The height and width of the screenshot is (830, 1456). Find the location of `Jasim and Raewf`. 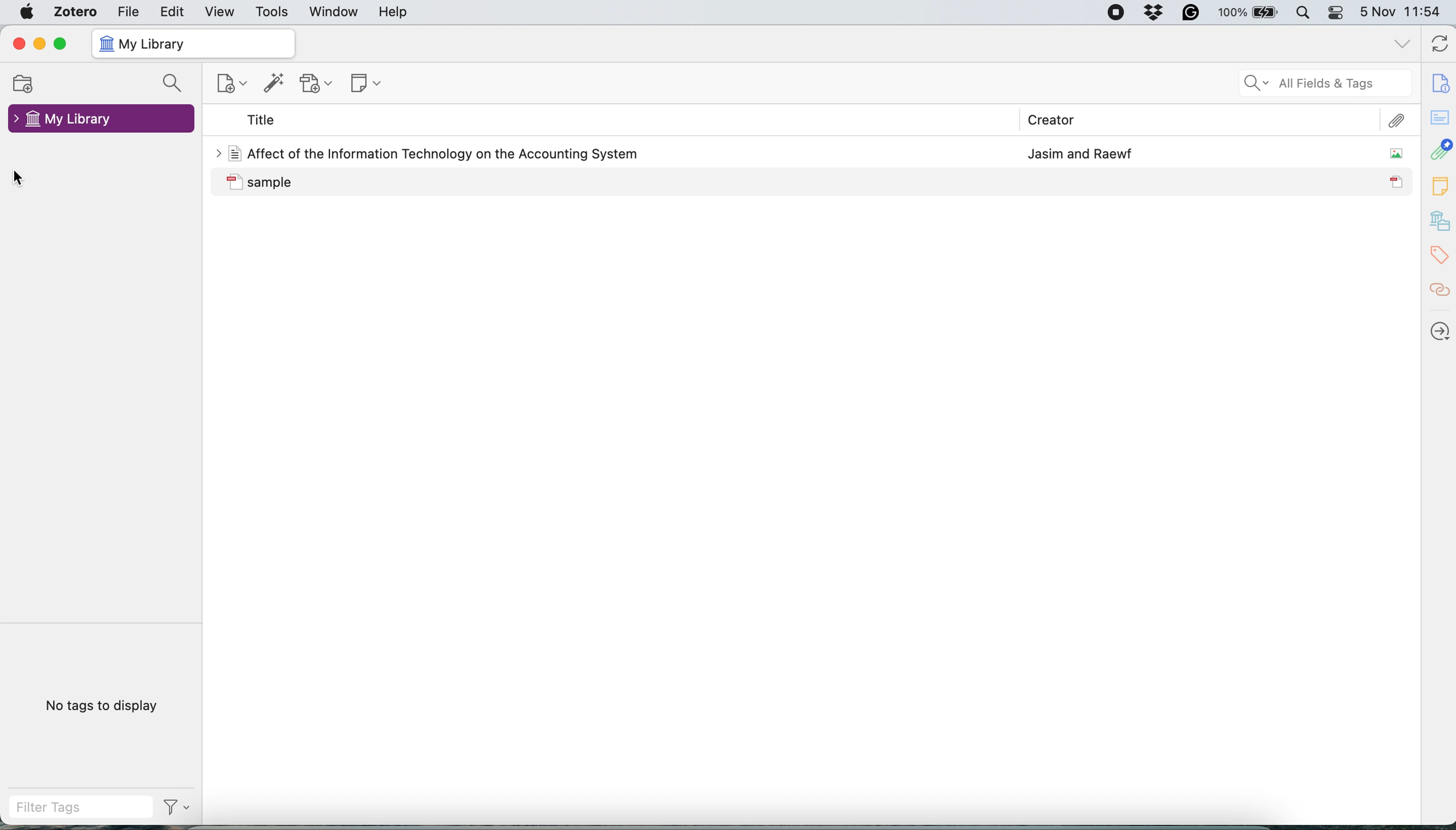

Jasim and Raewf is located at coordinates (1077, 151).